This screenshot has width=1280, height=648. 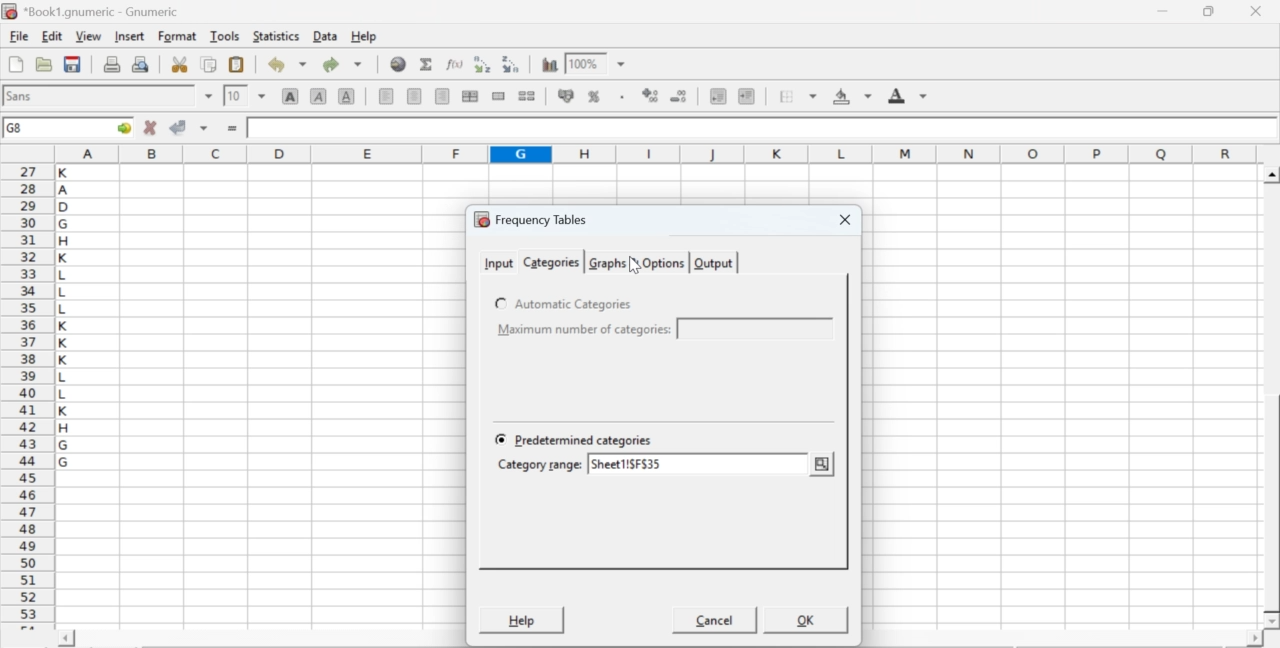 I want to click on enter formula, so click(x=234, y=129).